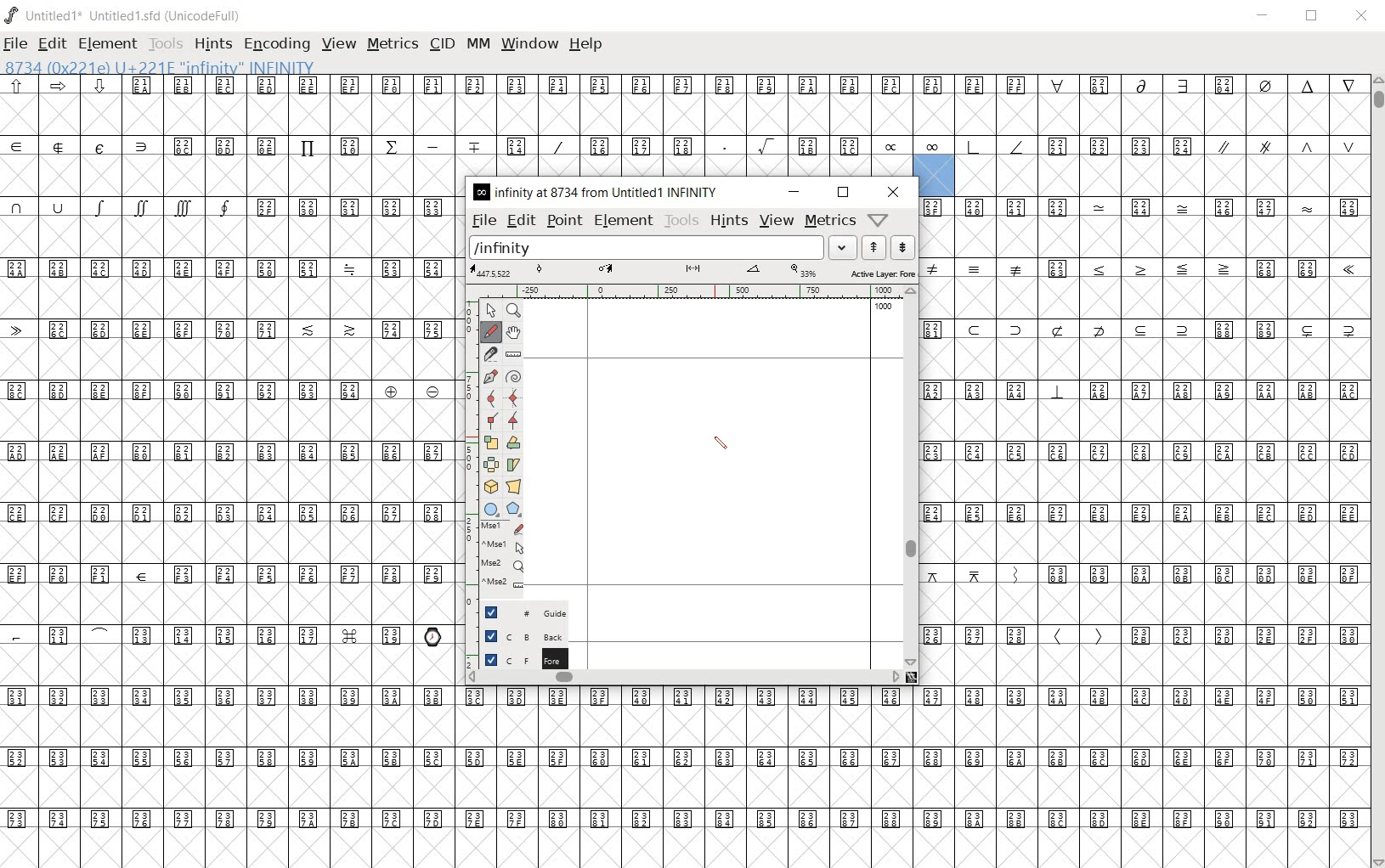 The image size is (1385, 868). What do you see at coordinates (442, 45) in the screenshot?
I see `cid` at bounding box center [442, 45].